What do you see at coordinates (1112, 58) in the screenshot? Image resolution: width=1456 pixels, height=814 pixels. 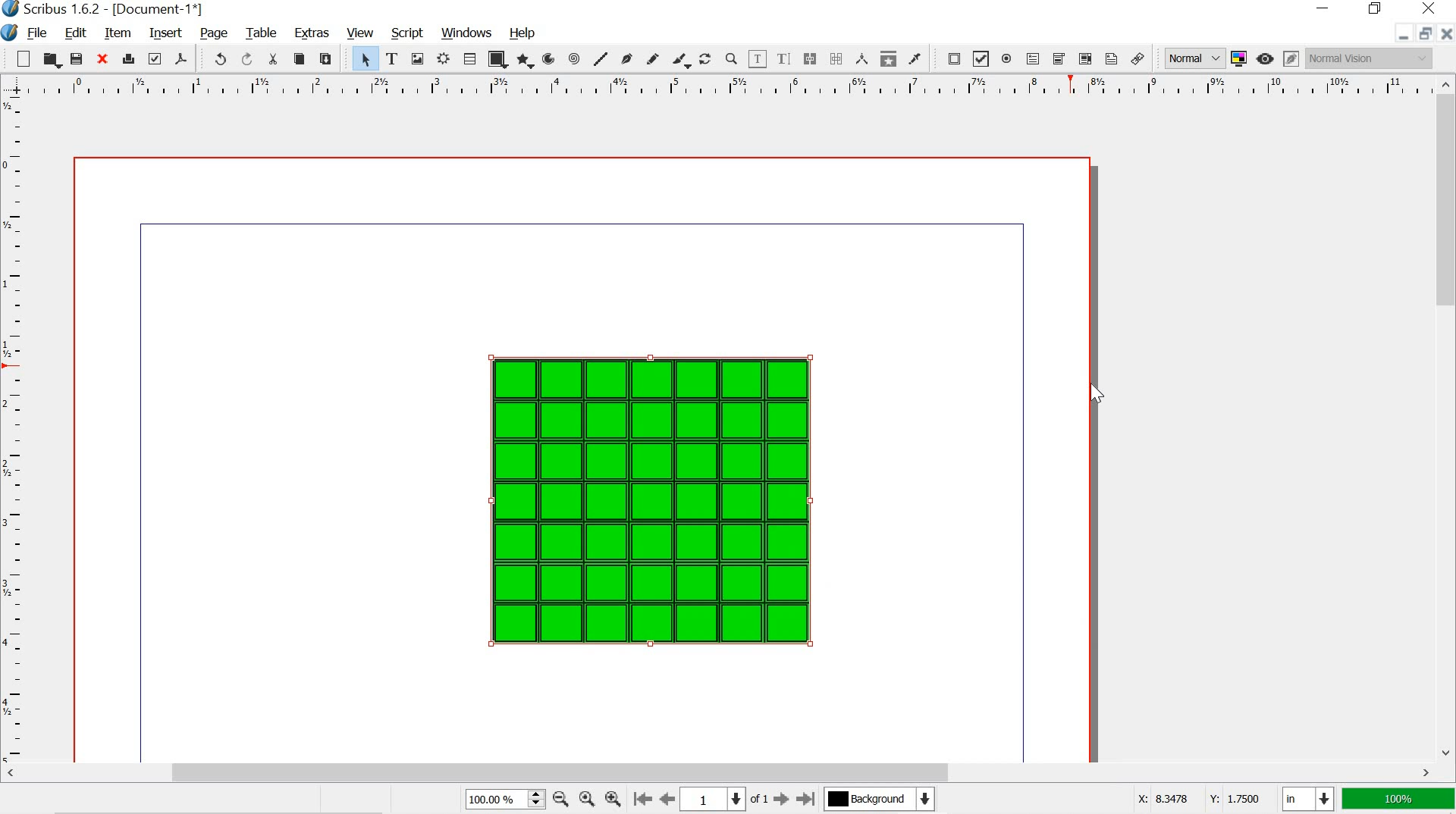 I see `text annotation` at bounding box center [1112, 58].